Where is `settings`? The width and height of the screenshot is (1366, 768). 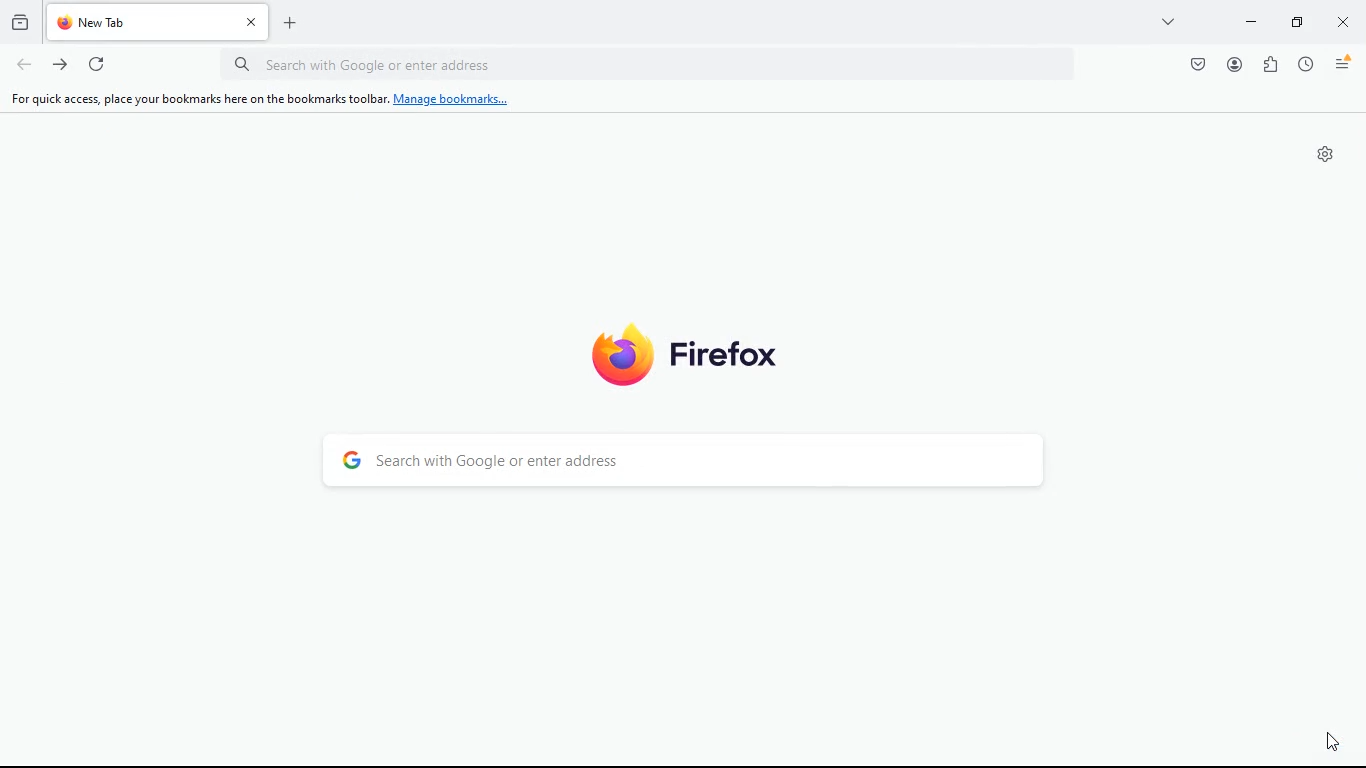
settings is located at coordinates (1326, 154).